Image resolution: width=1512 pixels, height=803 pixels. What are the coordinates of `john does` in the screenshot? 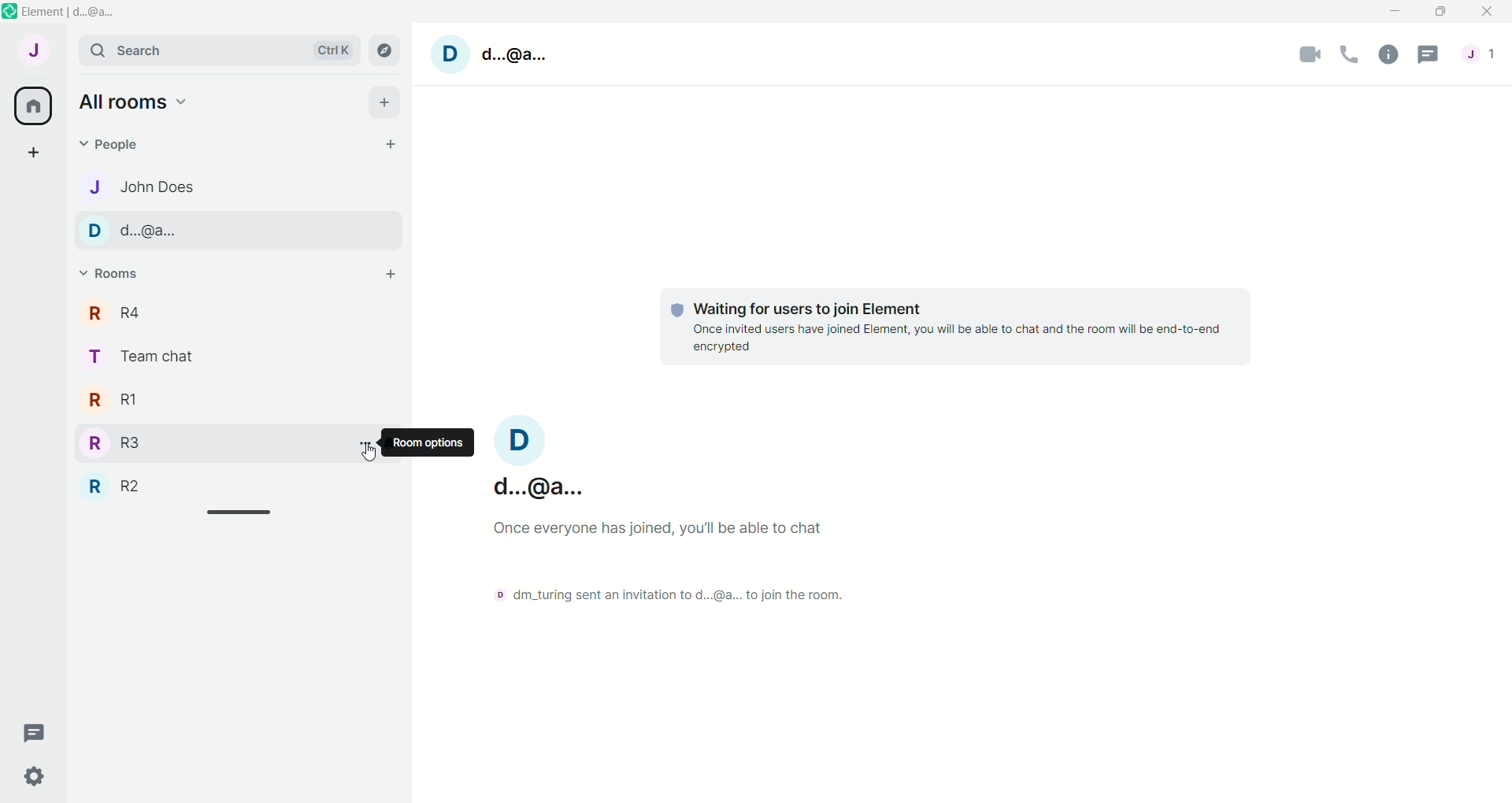 It's located at (242, 185).